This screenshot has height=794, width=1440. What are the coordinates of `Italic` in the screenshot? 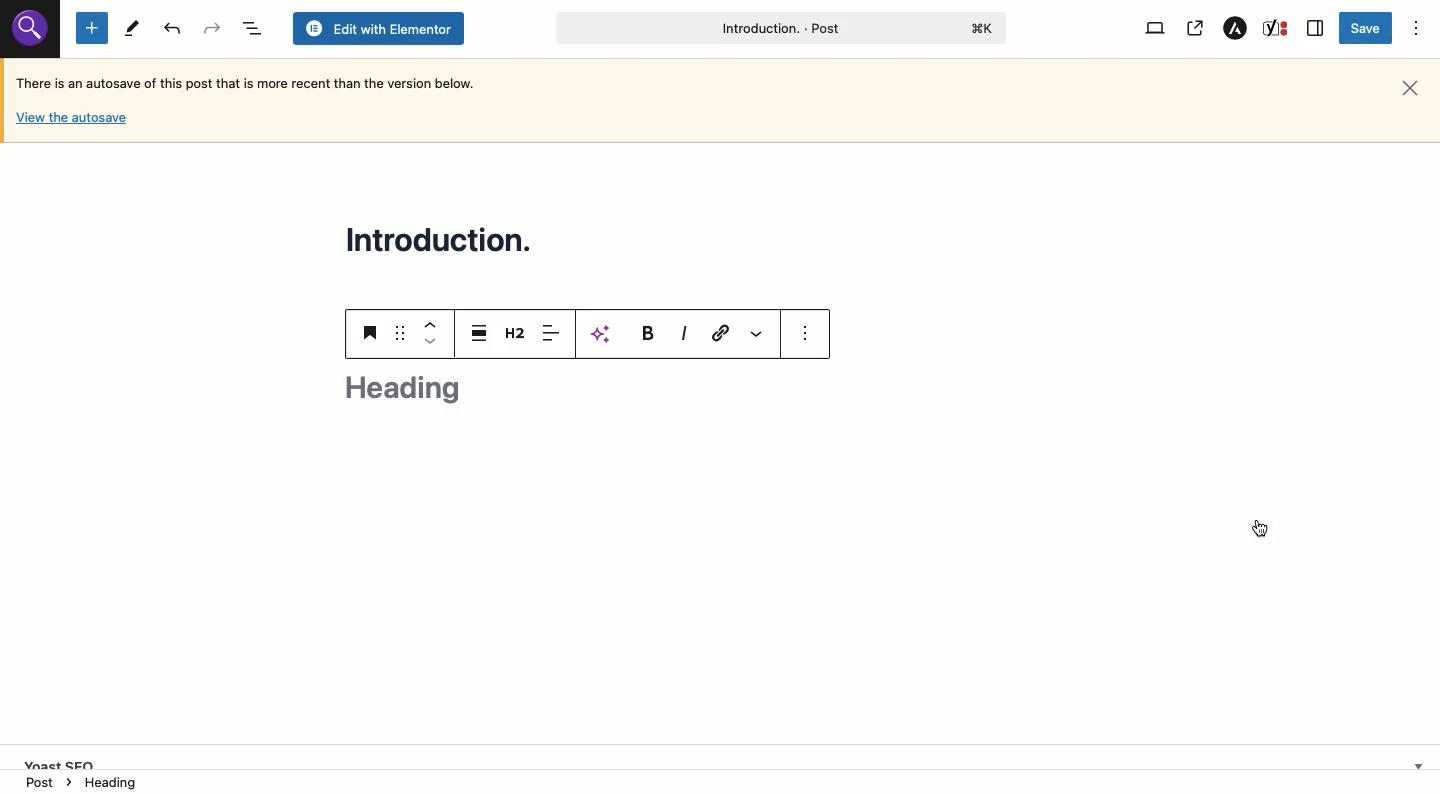 It's located at (684, 334).